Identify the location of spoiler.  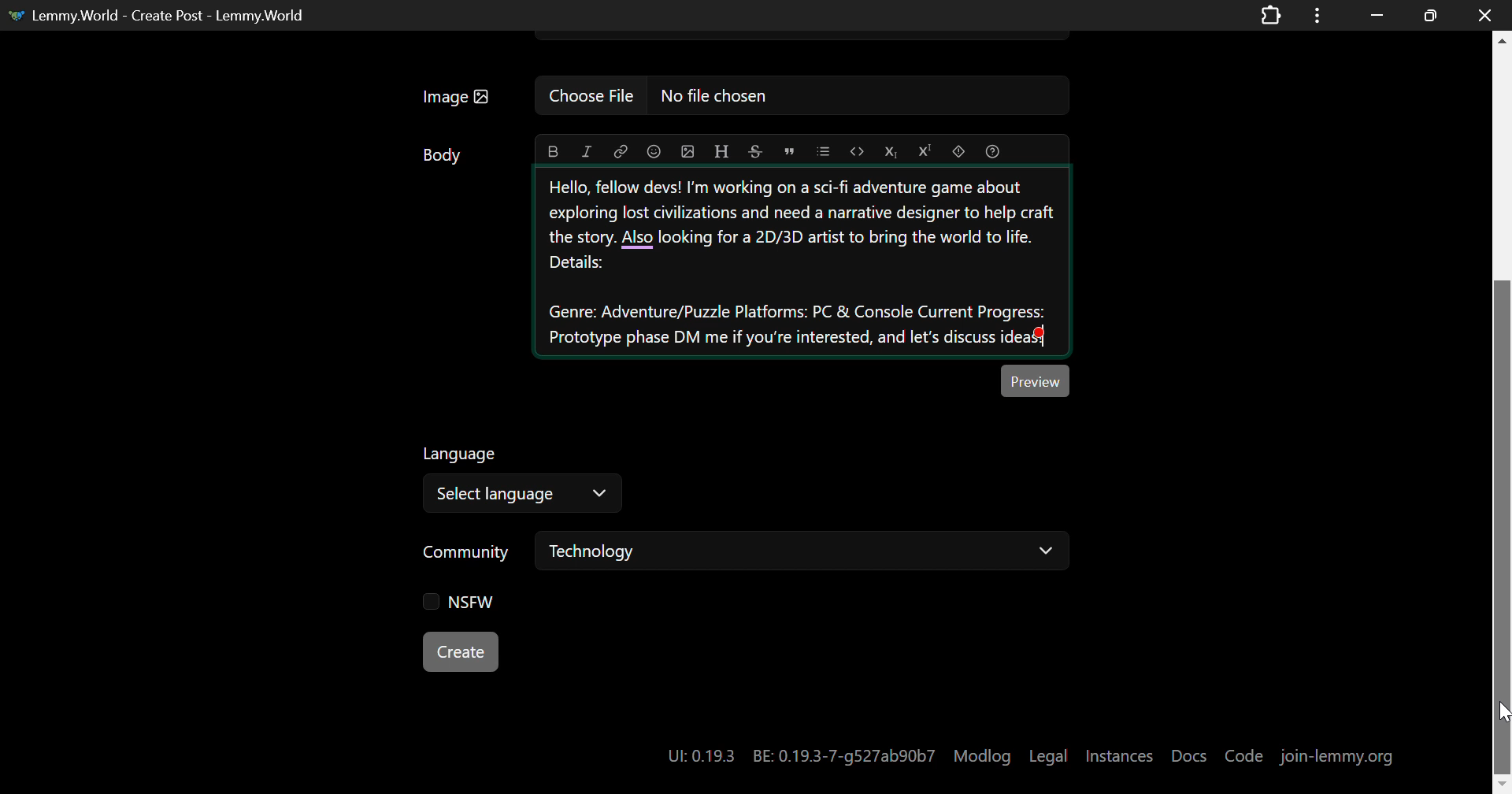
(958, 151).